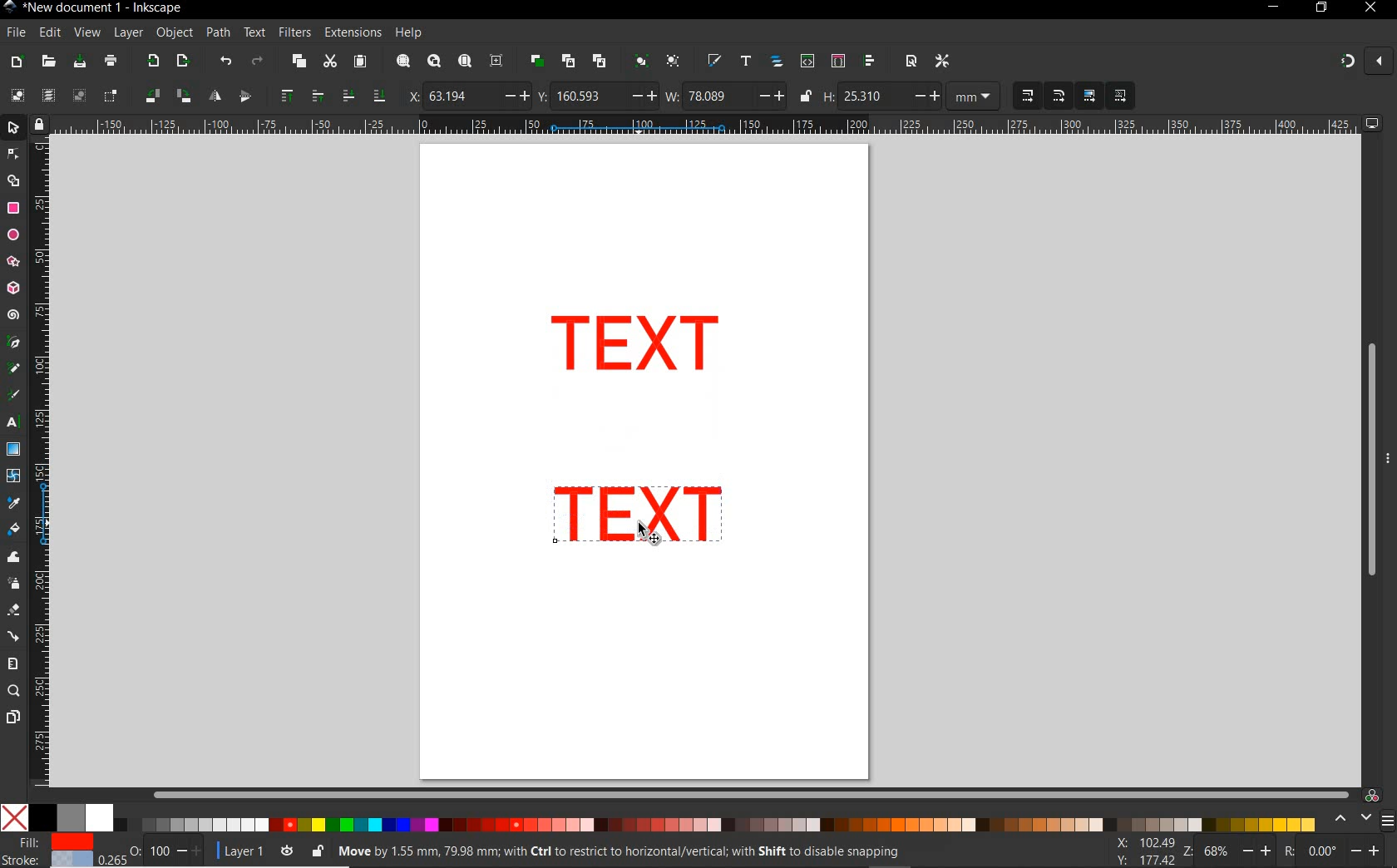 This screenshot has height=868, width=1397. What do you see at coordinates (596, 96) in the screenshot?
I see `vertical coordinate of selection` at bounding box center [596, 96].